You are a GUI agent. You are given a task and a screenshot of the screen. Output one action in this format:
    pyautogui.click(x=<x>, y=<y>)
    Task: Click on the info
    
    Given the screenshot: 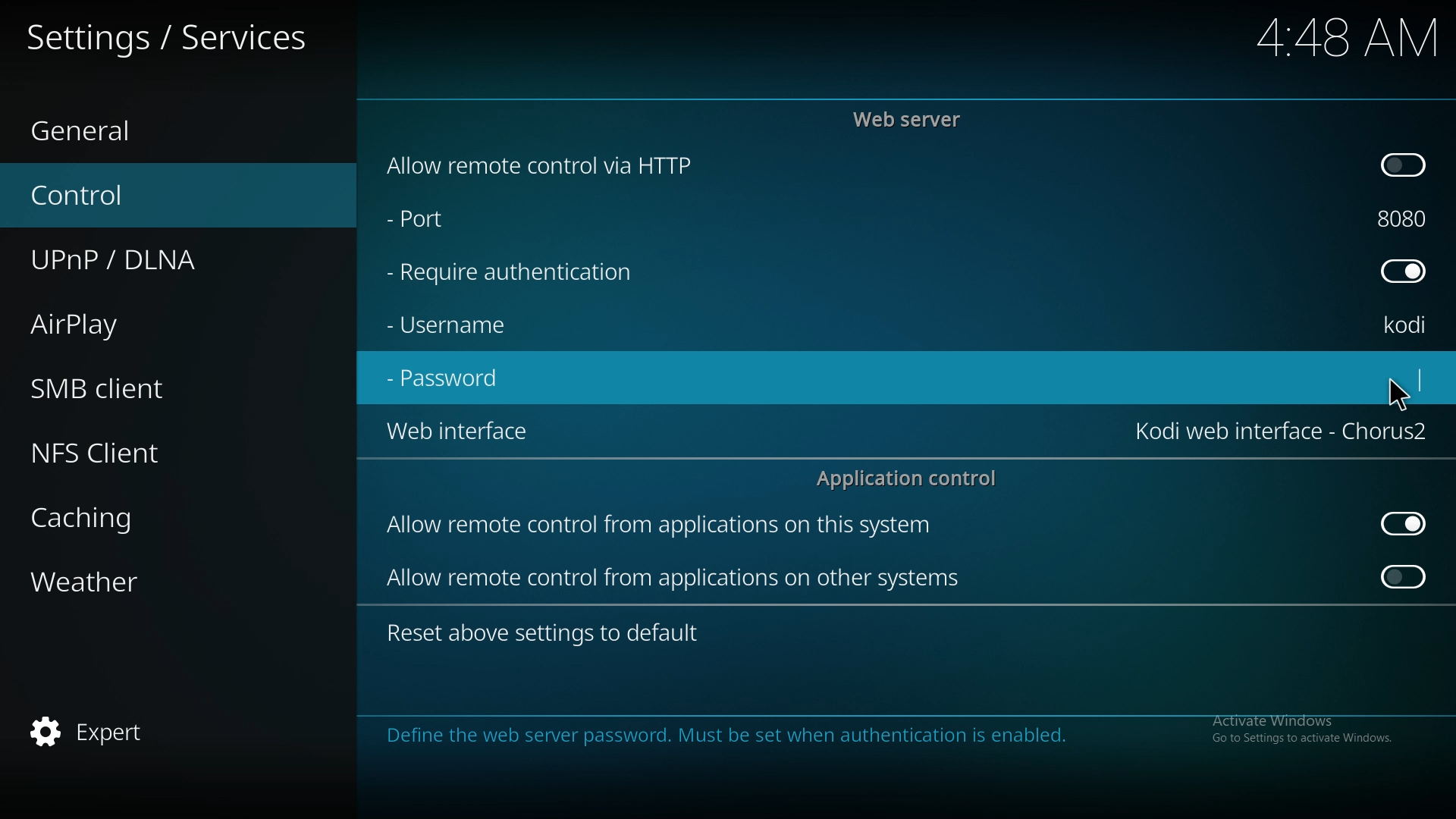 What is the action you would take?
    pyautogui.click(x=877, y=735)
    